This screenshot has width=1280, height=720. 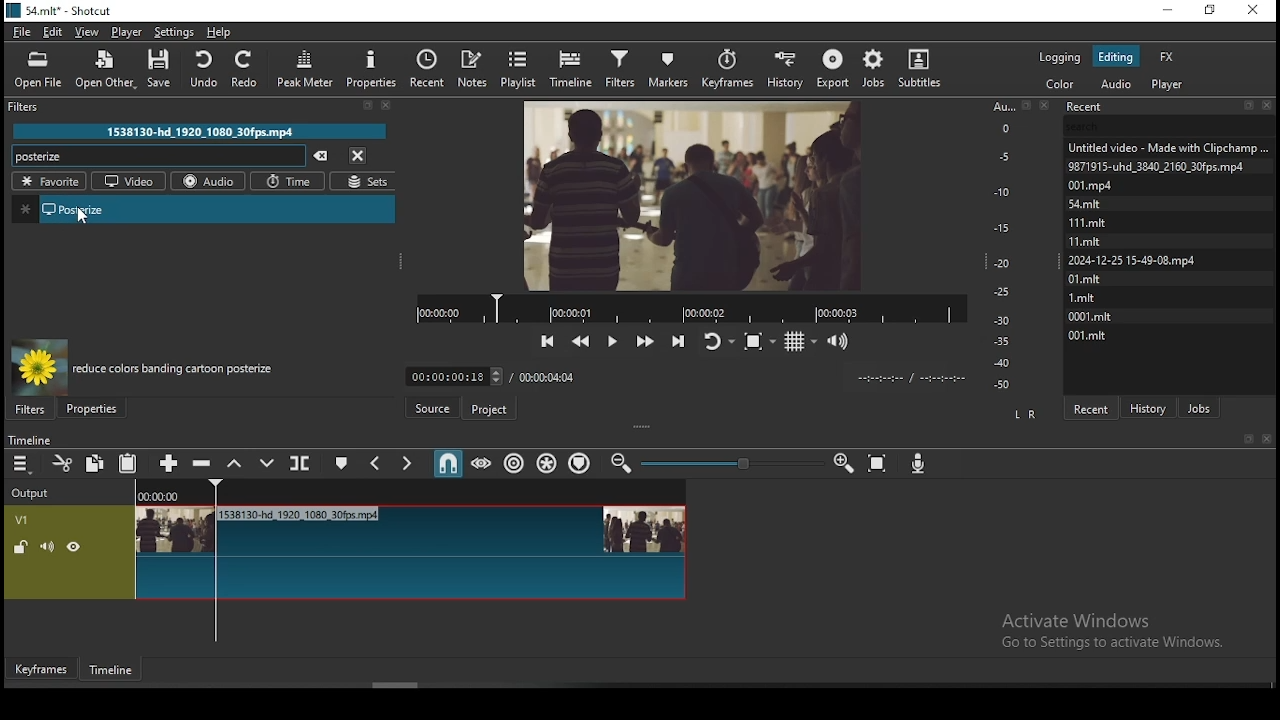 I want to click on scale, so click(x=1005, y=246).